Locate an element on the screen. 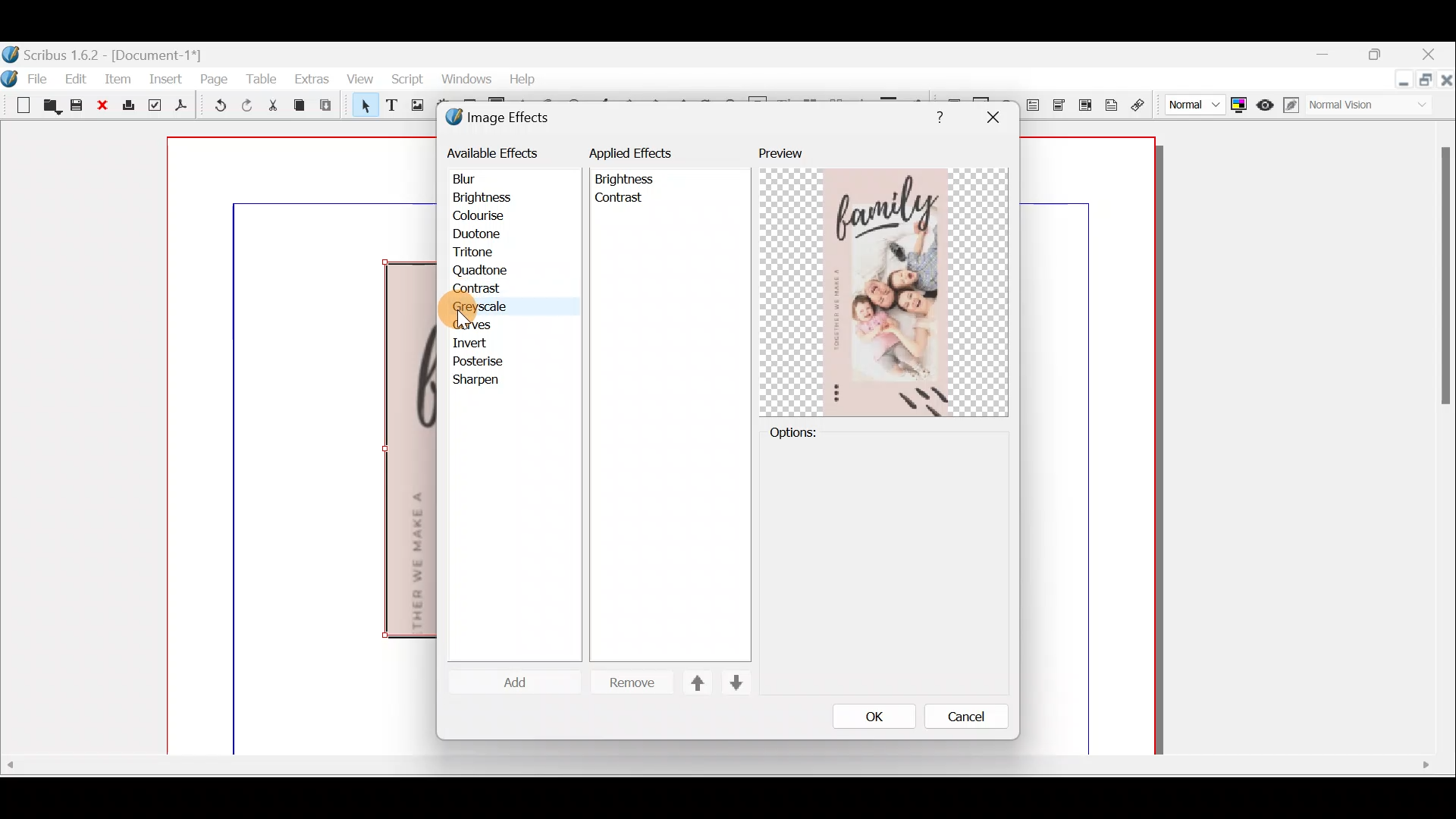  Text frame is located at coordinates (394, 107).